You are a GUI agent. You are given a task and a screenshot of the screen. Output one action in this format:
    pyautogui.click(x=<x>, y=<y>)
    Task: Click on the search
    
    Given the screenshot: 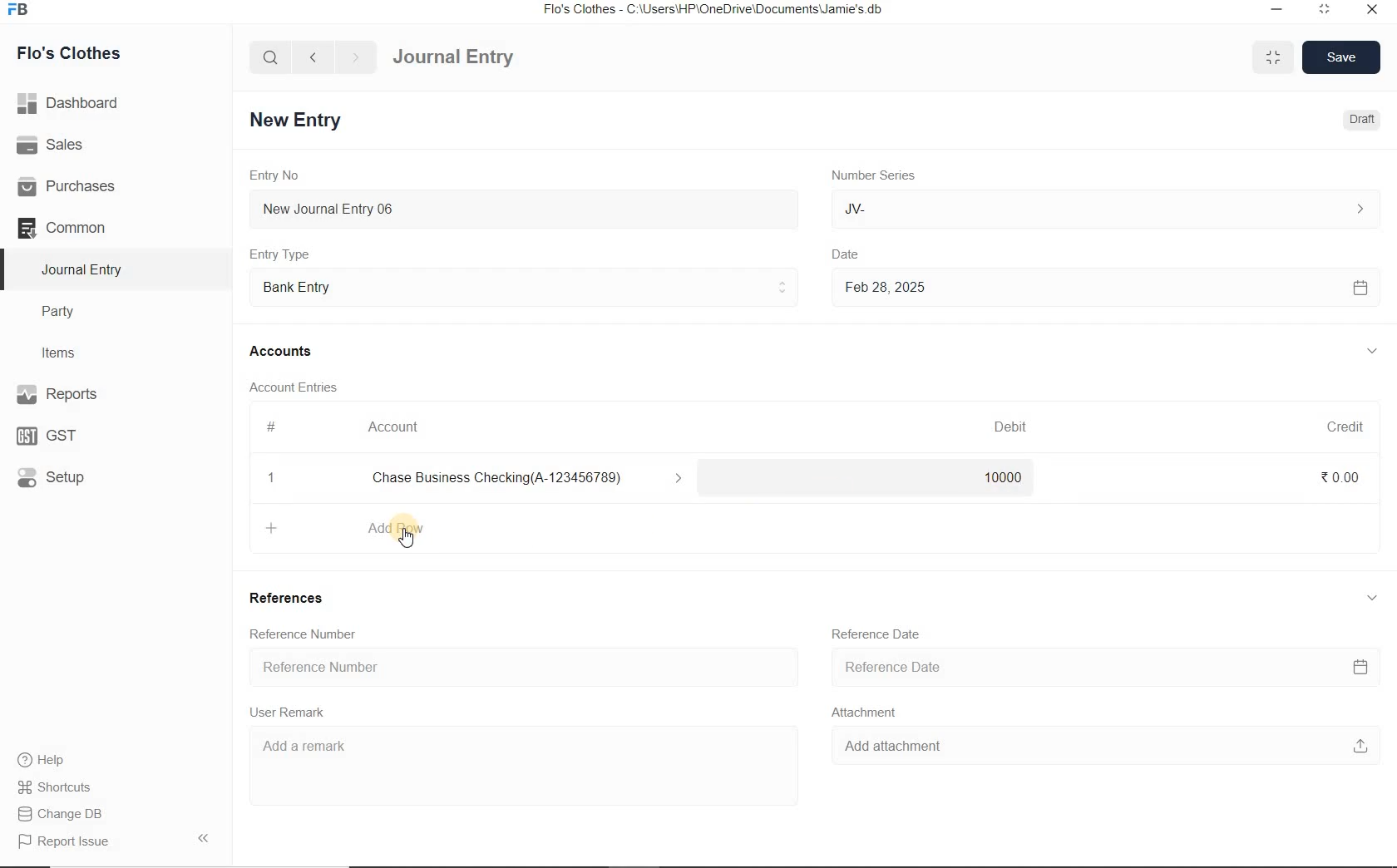 What is the action you would take?
    pyautogui.click(x=271, y=57)
    